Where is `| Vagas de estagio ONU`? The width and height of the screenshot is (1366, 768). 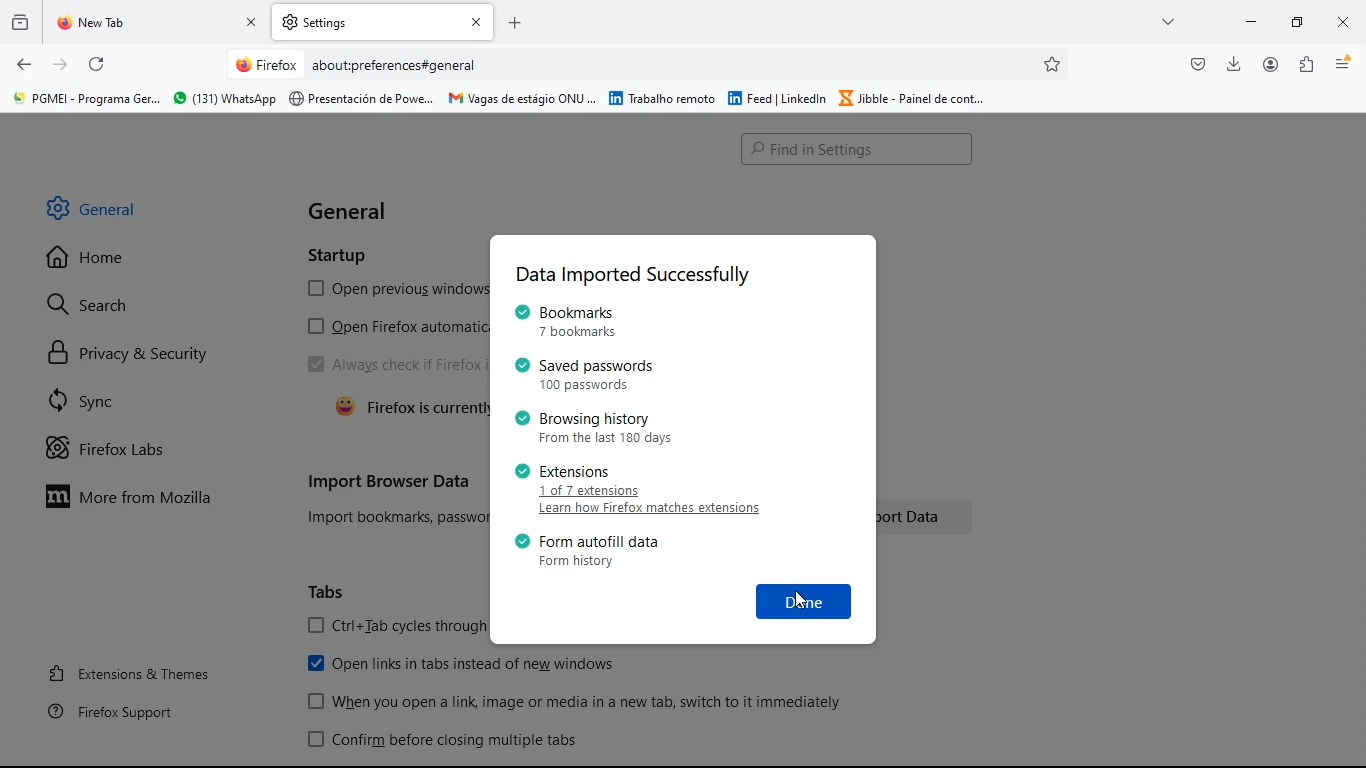
| Vagas de estagio ONU is located at coordinates (521, 97).